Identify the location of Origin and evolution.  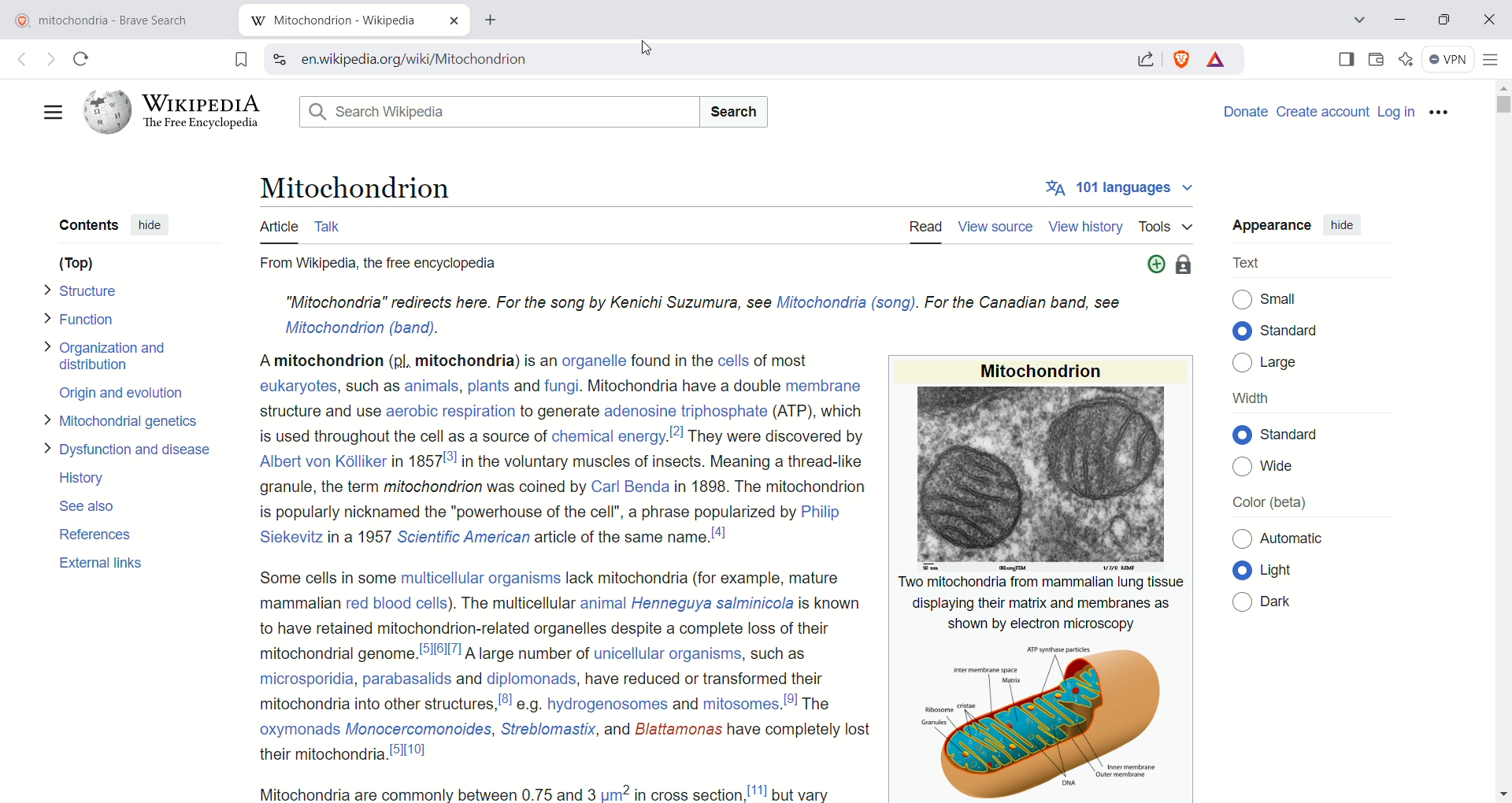
(125, 394).